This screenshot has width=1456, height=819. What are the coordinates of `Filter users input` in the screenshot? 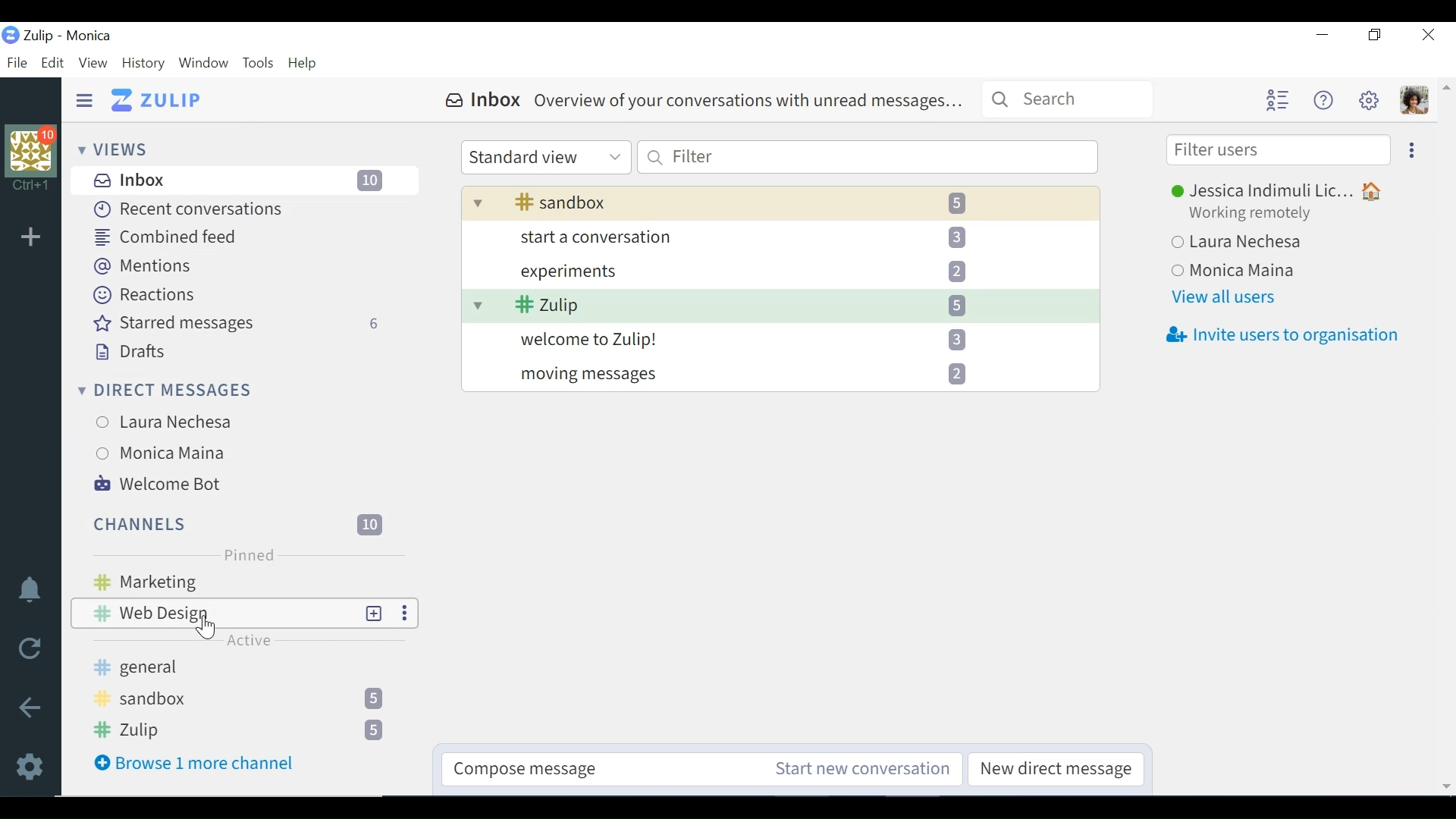 It's located at (1277, 151).